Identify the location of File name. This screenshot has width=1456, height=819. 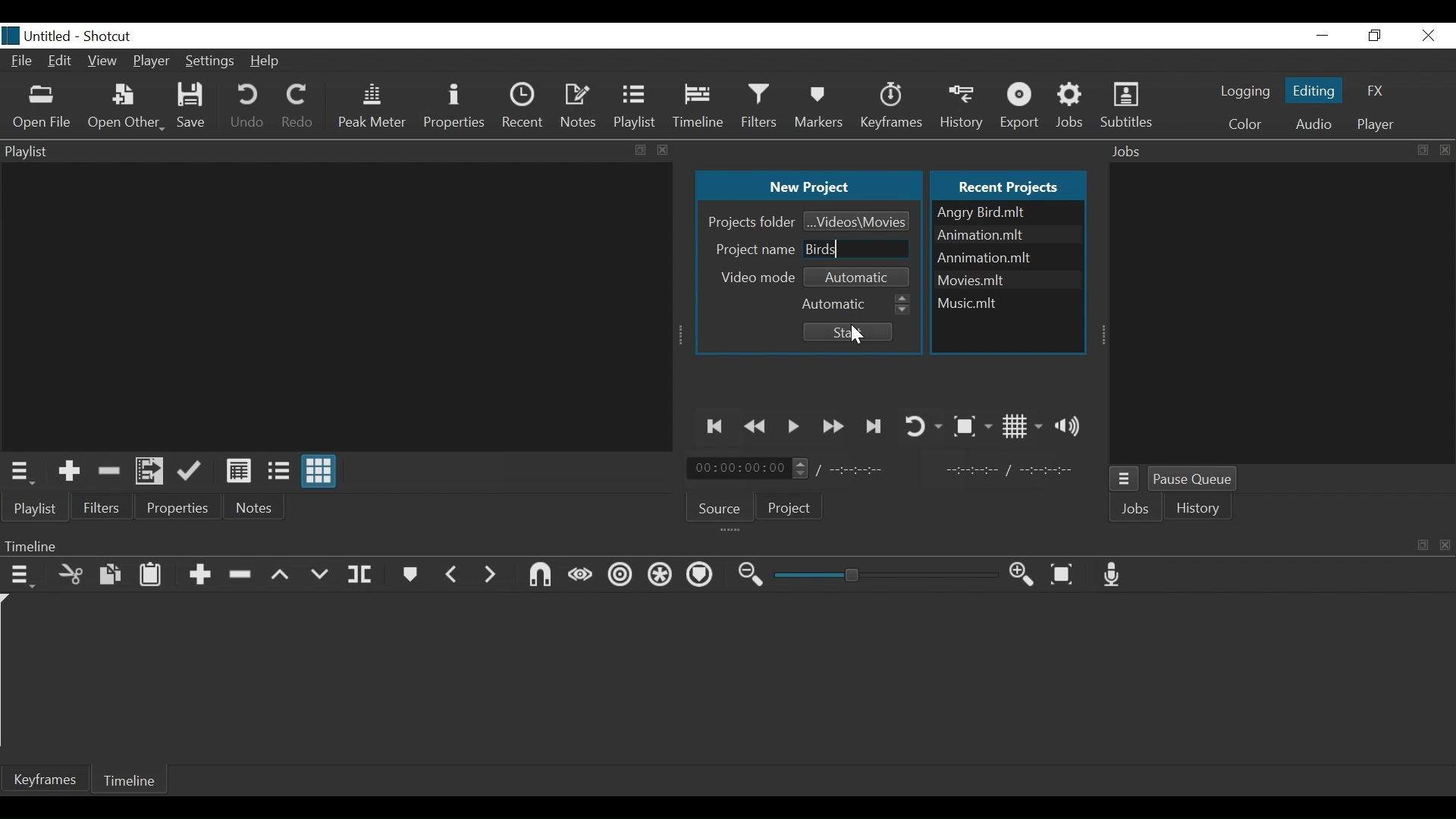
(1008, 258).